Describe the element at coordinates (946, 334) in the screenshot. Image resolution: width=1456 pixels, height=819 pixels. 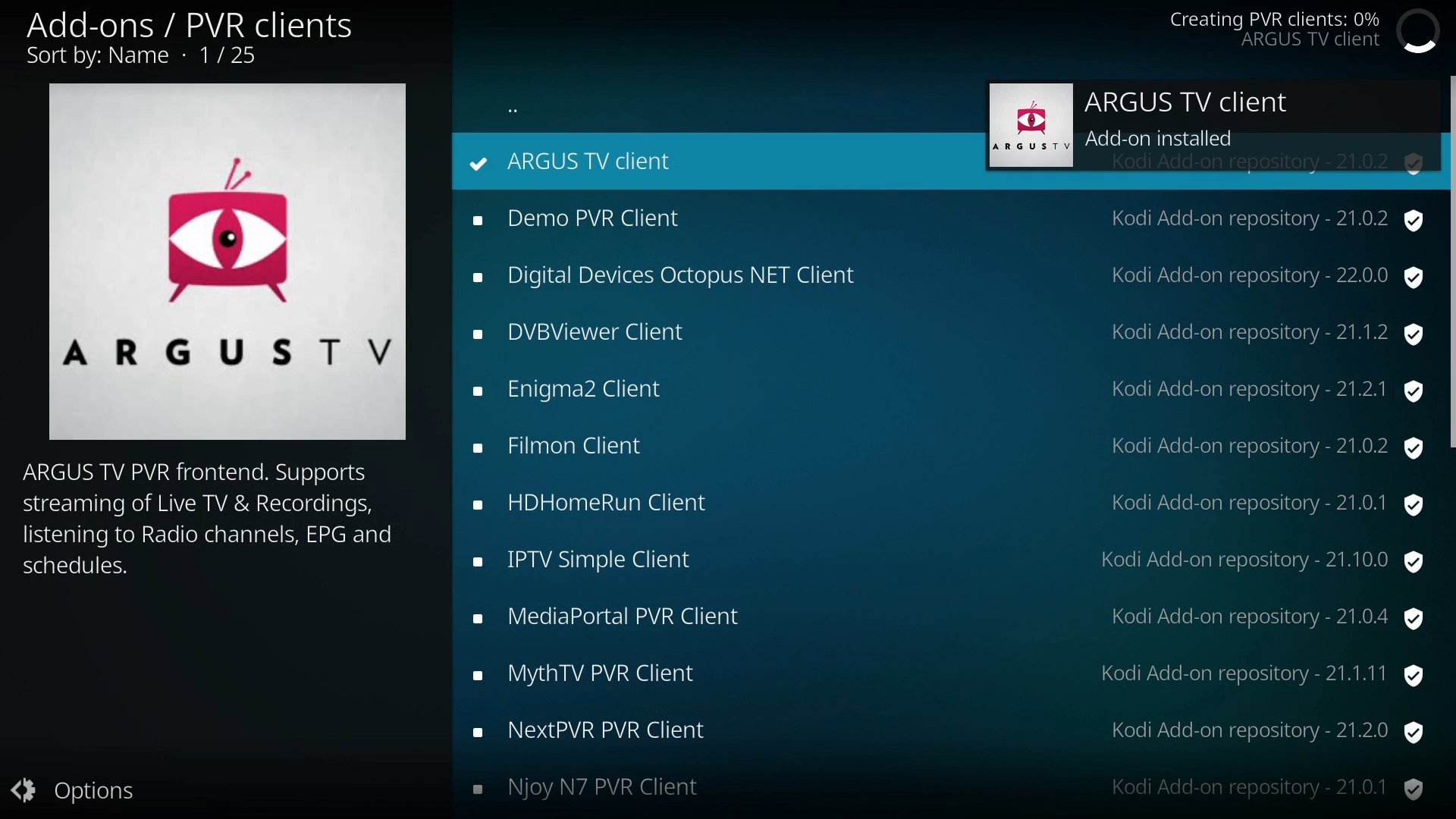
I see `DVBViewer Client Kodi Add-on repository - 21.1.2` at that location.